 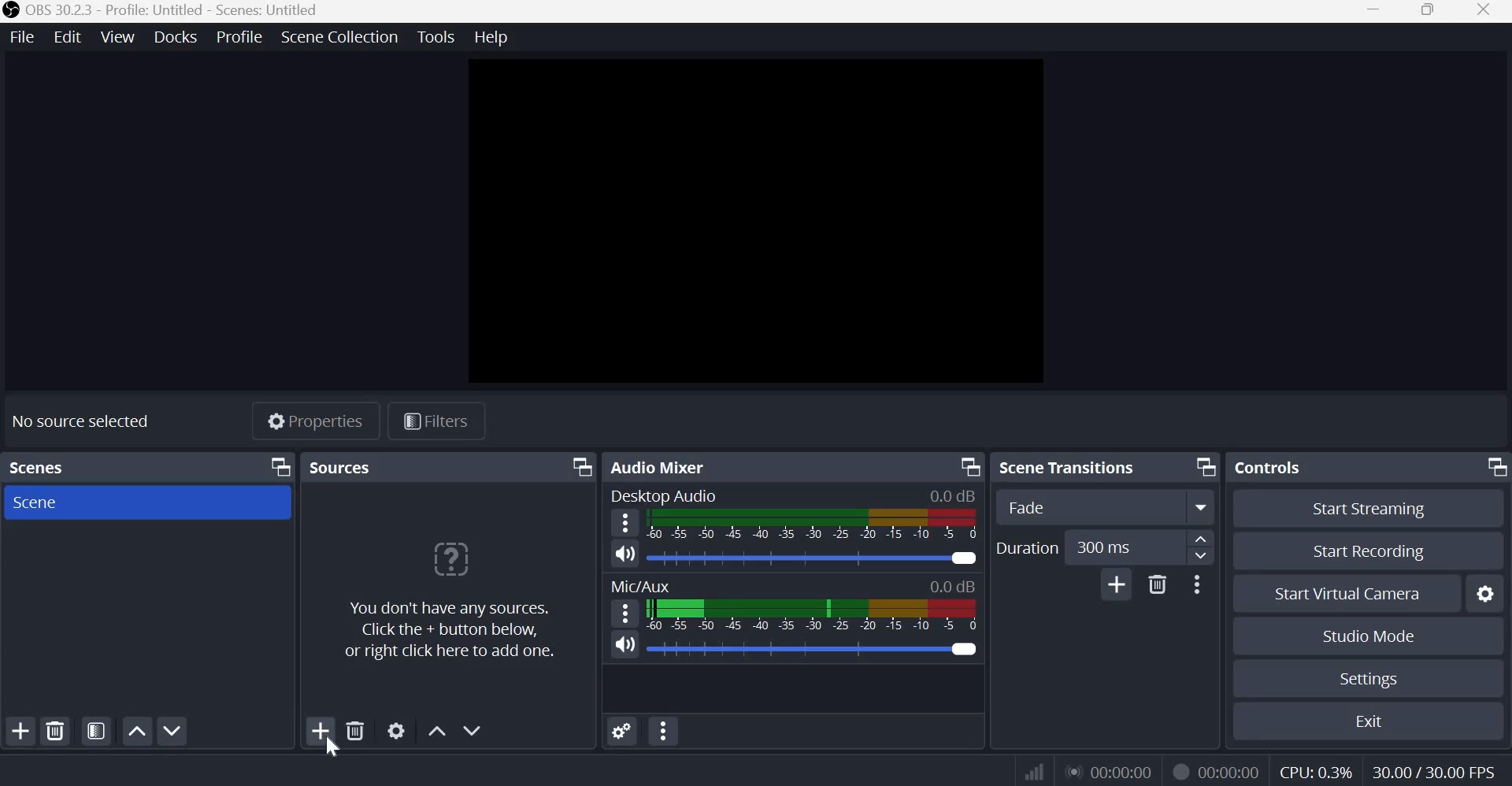 I want to click on Desktop Audio, so click(x=663, y=494).